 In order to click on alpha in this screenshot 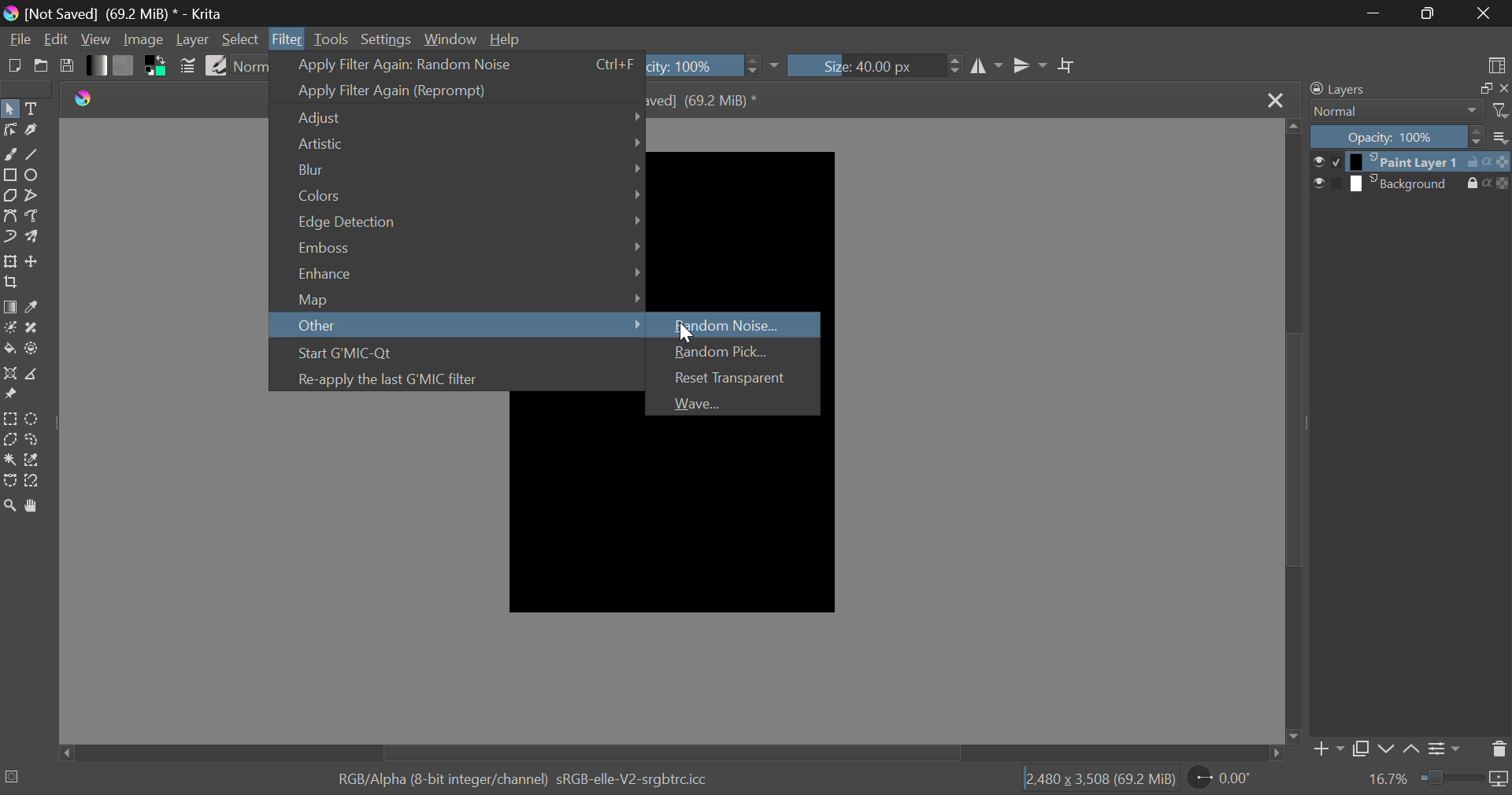, I will do `click(1488, 161)`.